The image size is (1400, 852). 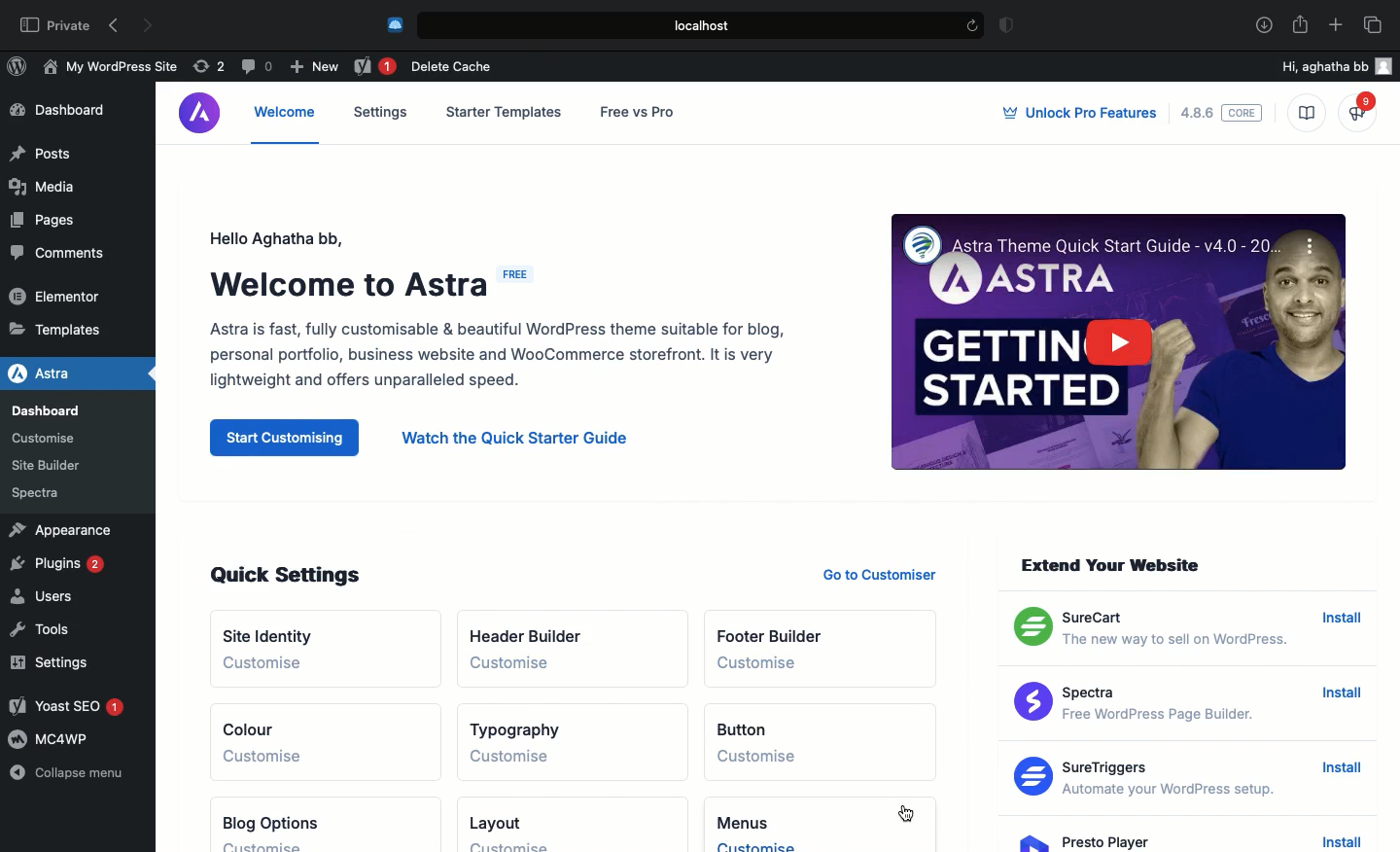 What do you see at coordinates (61, 465) in the screenshot?
I see `Site Builder` at bounding box center [61, 465].